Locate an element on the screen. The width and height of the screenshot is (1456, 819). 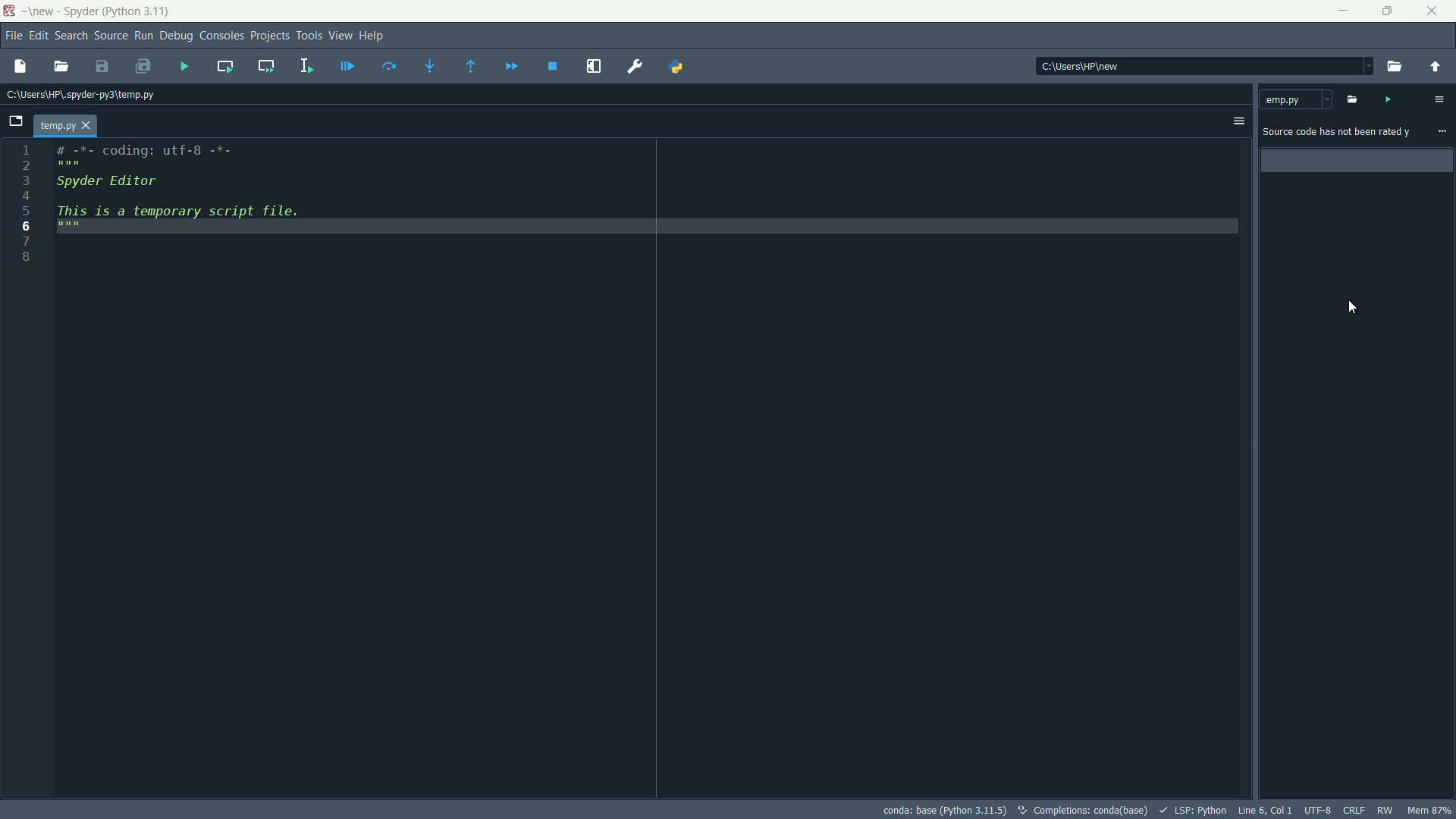
completions: conda(base) is located at coordinates (1081, 809).